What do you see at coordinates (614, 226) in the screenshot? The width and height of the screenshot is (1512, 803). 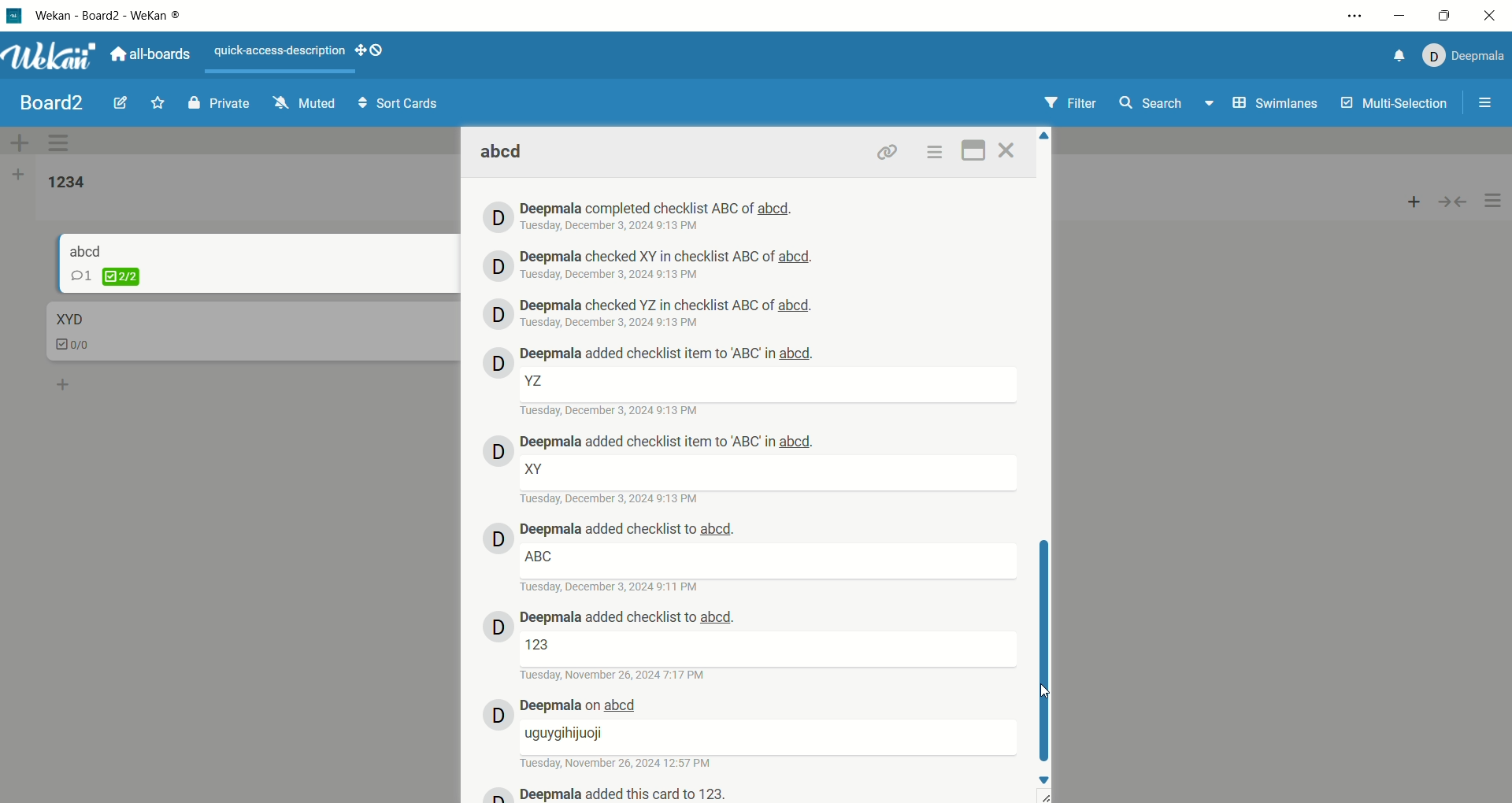 I see `date and time` at bounding box center [614, 226].